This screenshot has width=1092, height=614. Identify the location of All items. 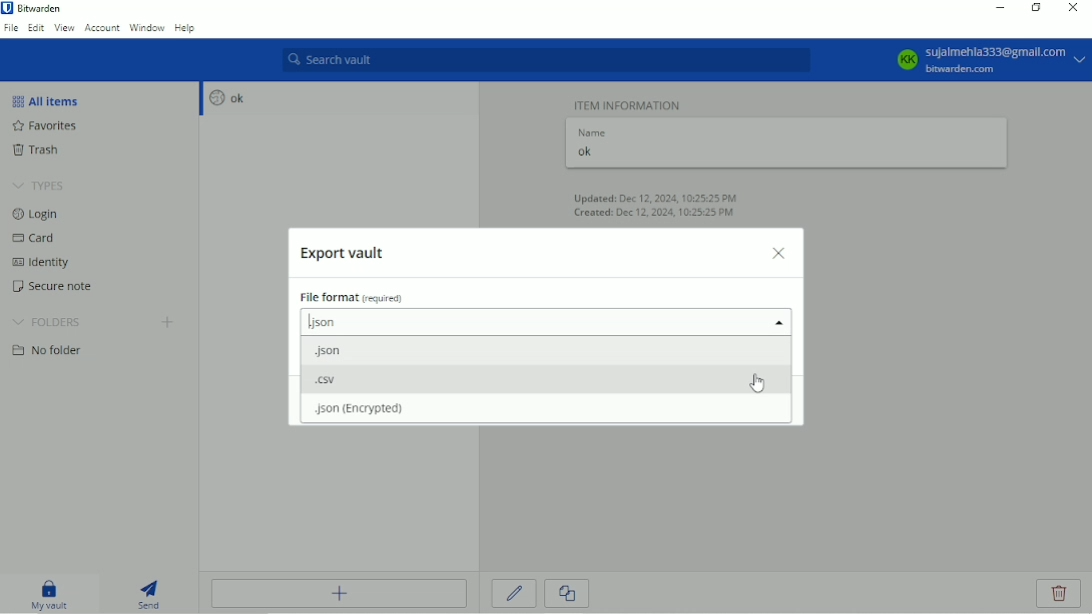
(51, 100).